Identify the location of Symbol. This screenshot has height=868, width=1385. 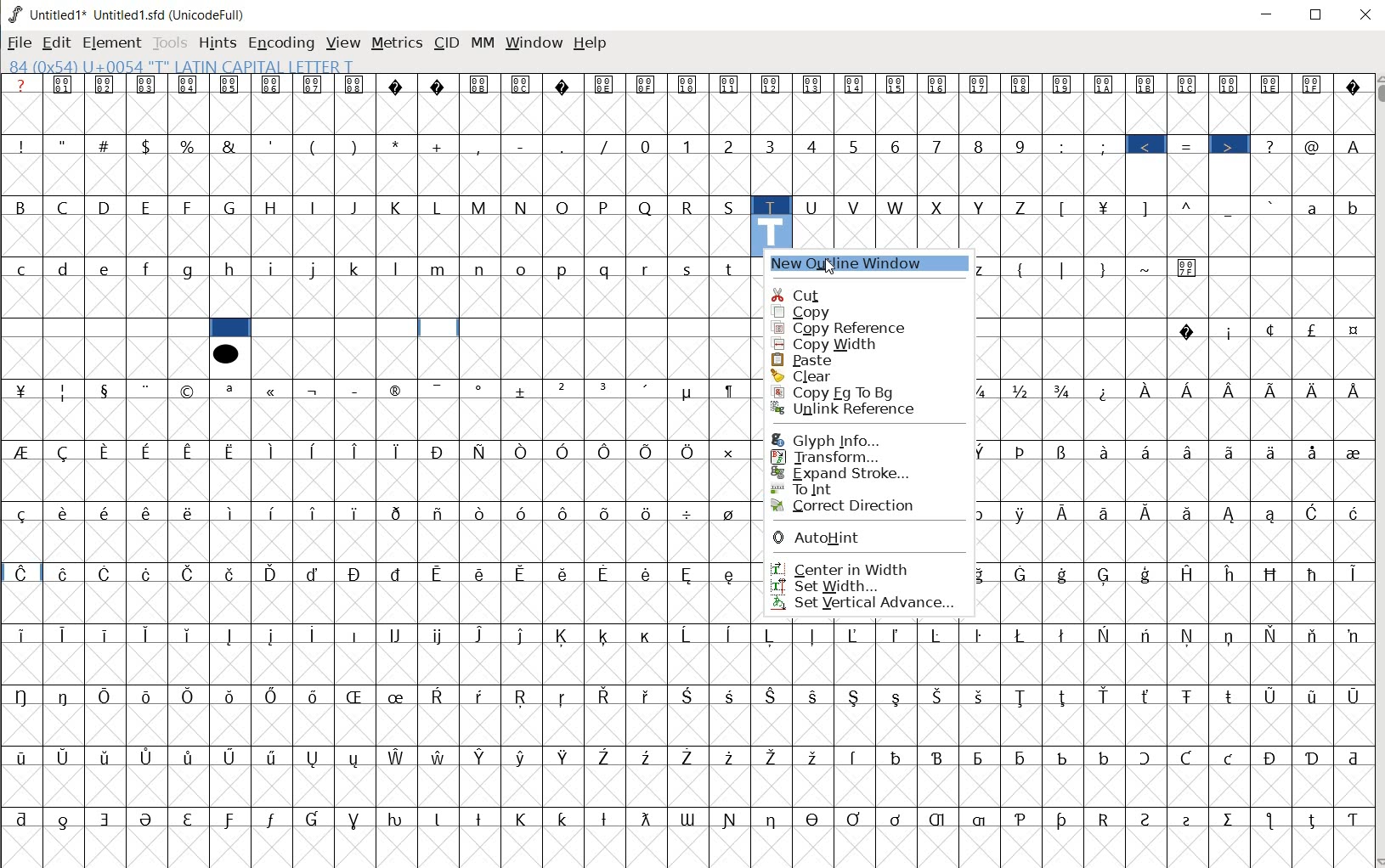
(815, 817).